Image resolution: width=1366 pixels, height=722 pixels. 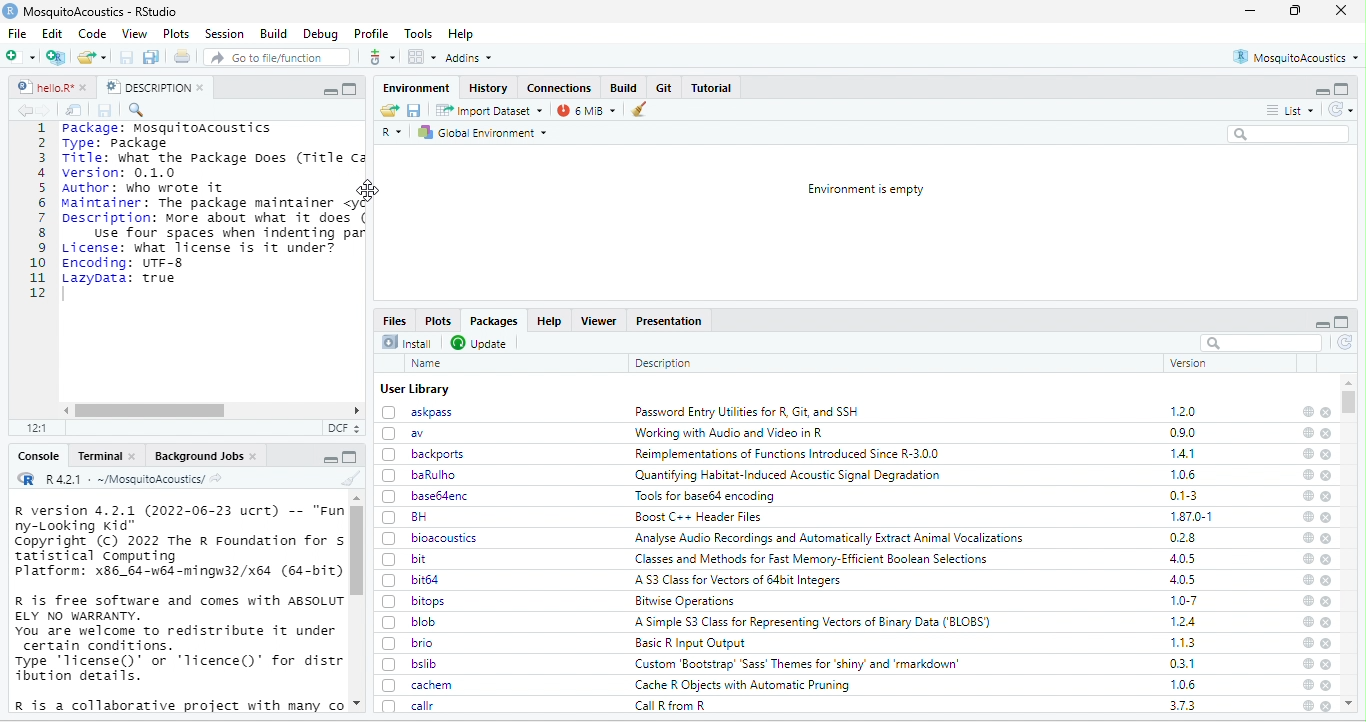 I want to click on logo, so click(x=10, y=11).